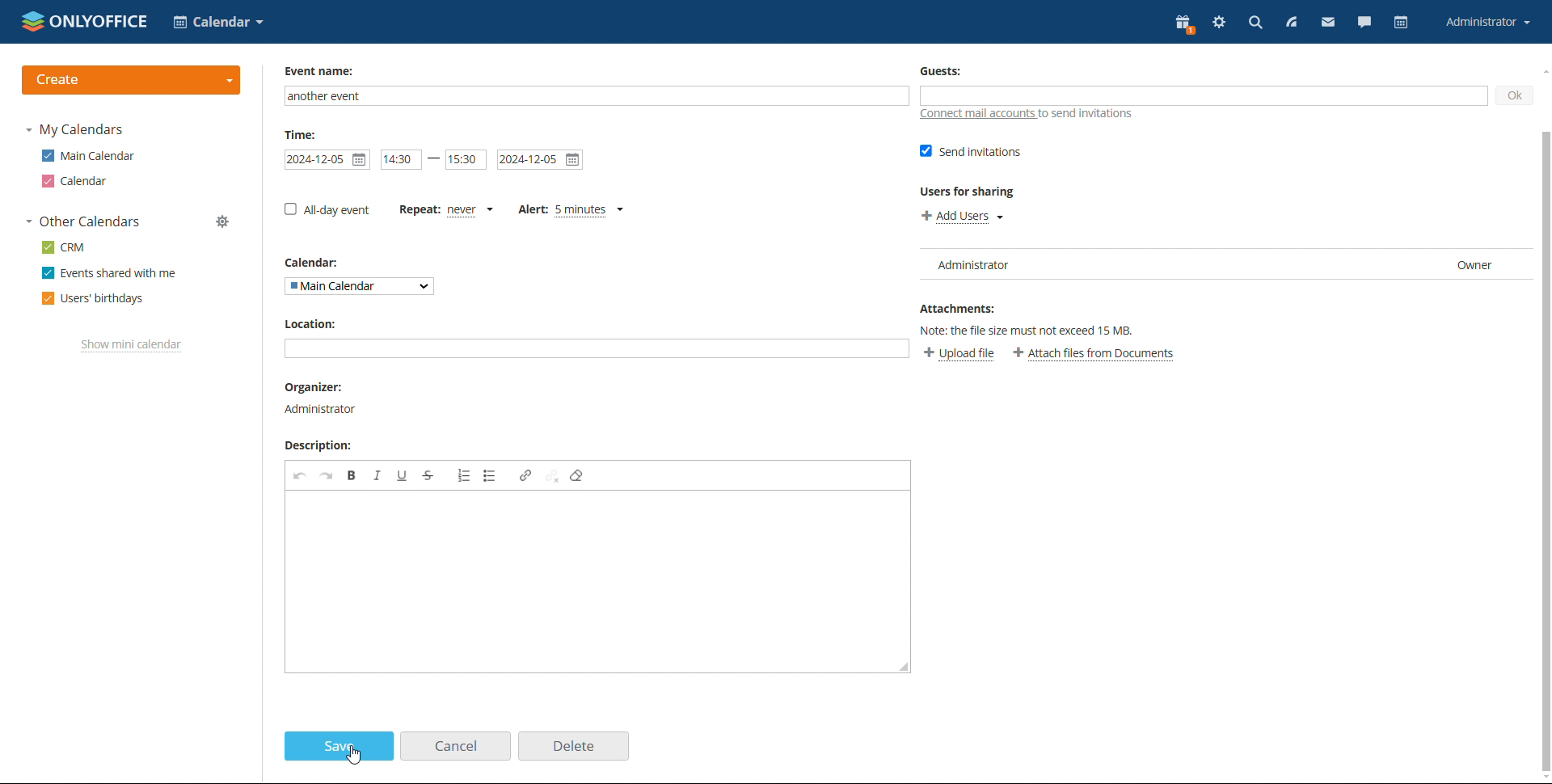 Image resolution: width=1552 pixels, height=784 pixels. I want to click on underline, so click(404, 476).